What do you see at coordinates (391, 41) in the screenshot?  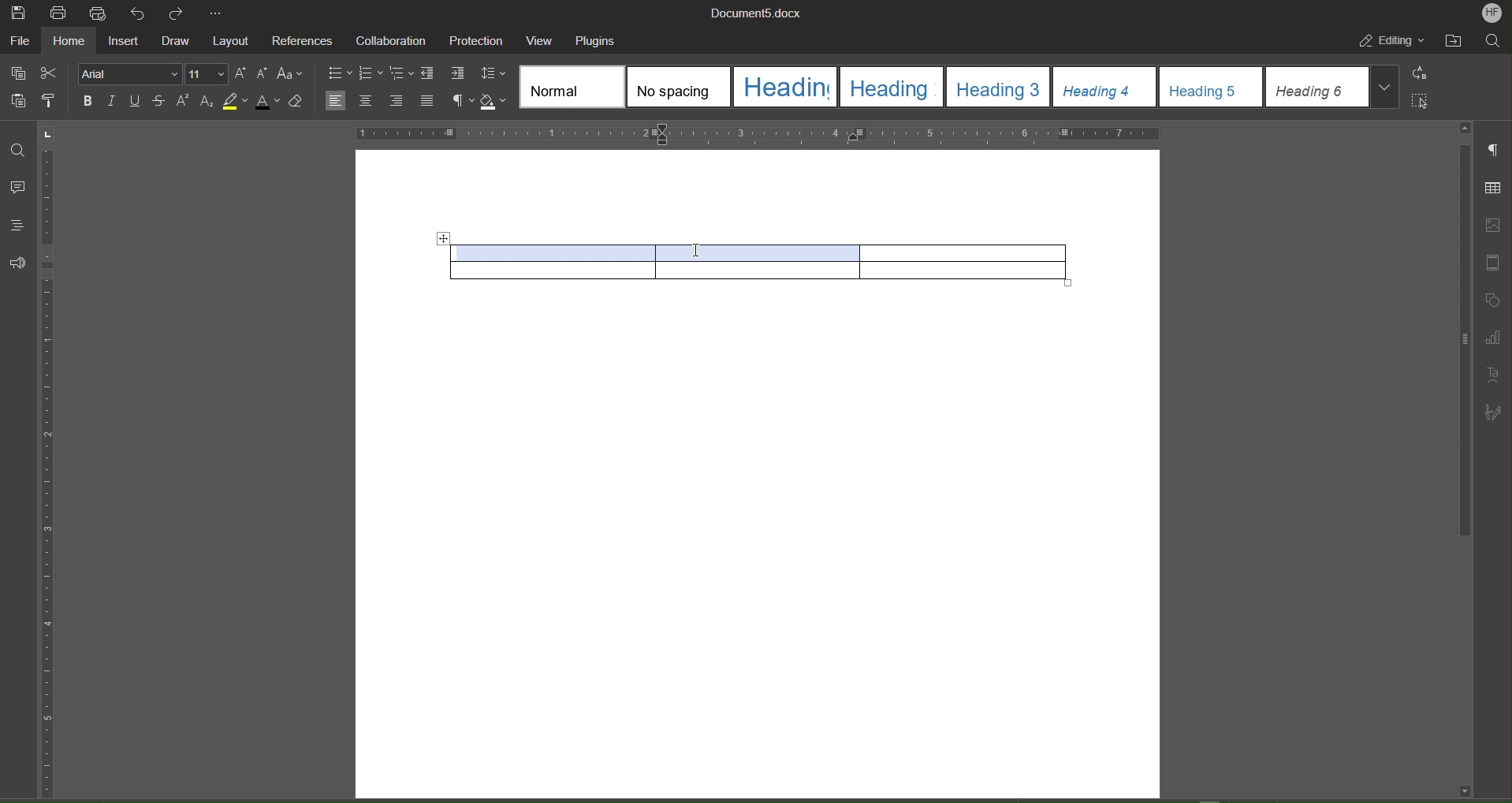 I see `Collaboration` at bounding box center [391, 41].